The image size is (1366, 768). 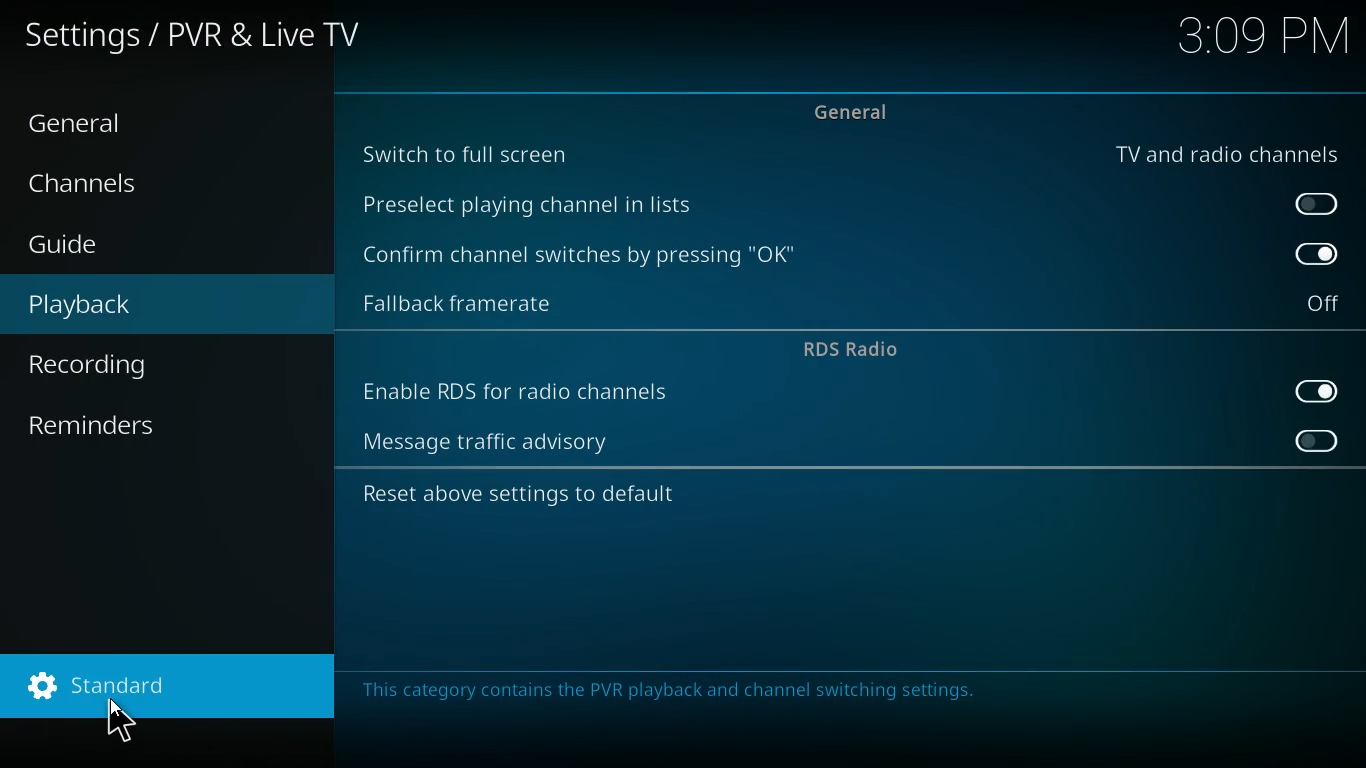 What do you see at coordinates (545, 204) in the screenshot?
I see `preselect playing channel in list` at bounding box center [545, 204].